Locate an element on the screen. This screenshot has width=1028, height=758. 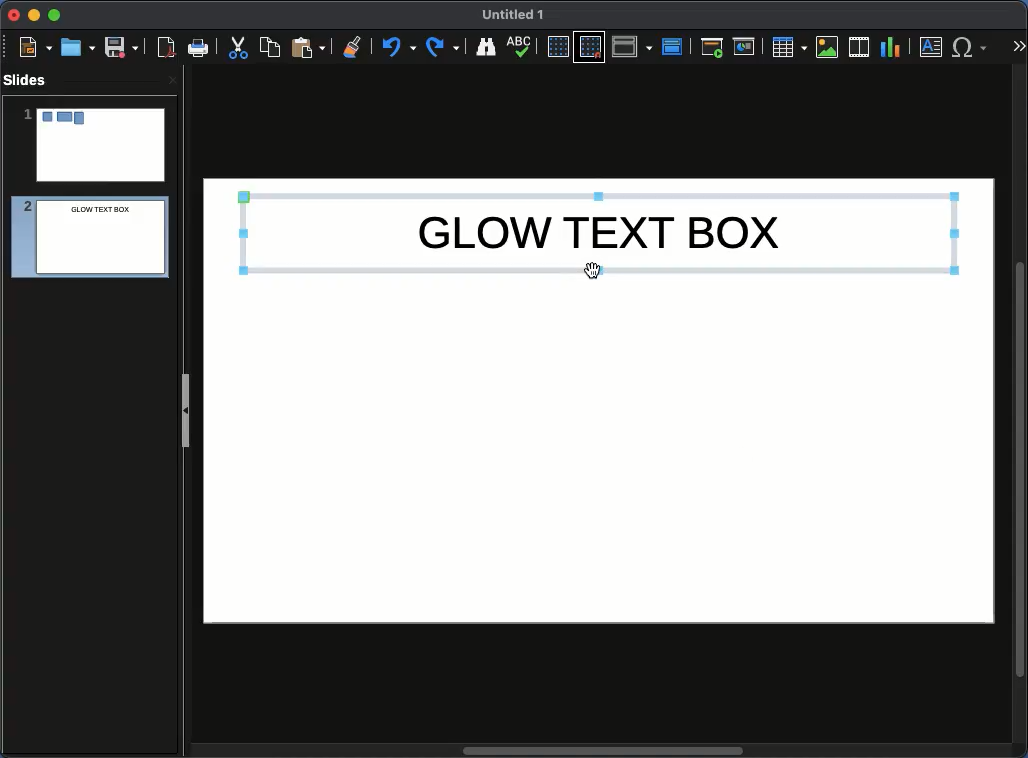
Display views is located at coordinates (635, 45).